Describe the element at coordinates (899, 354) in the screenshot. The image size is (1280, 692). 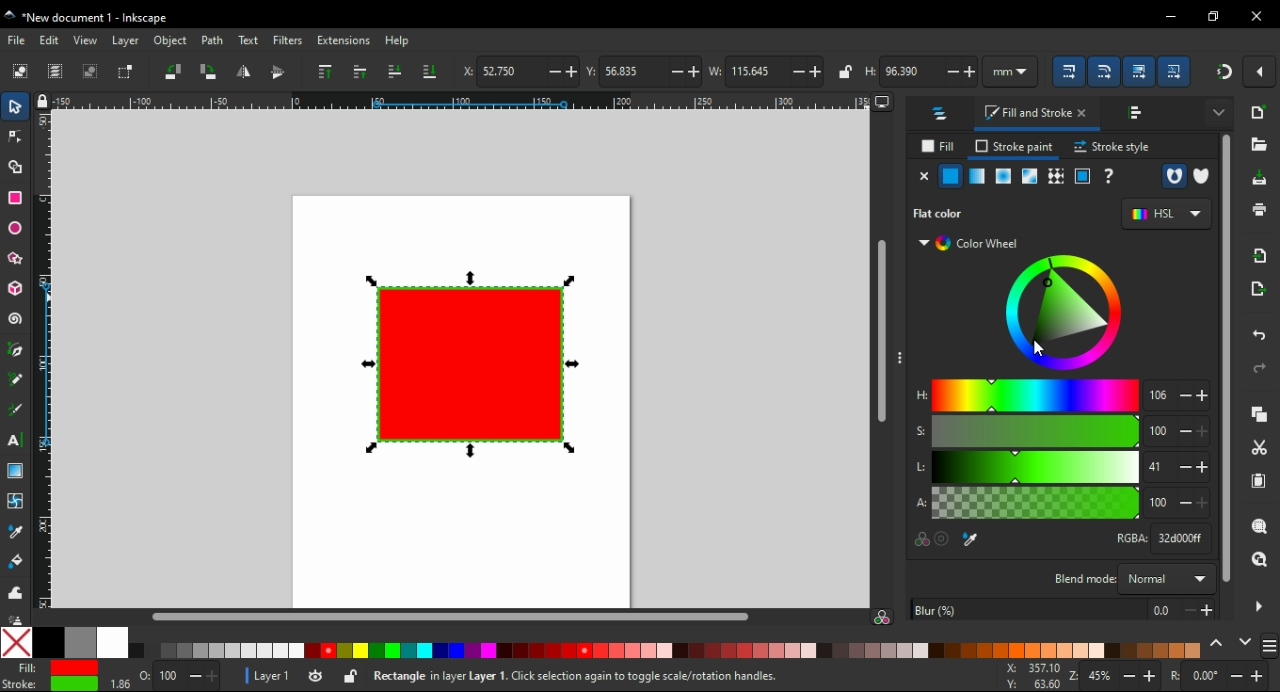
I see `hide` at that location.